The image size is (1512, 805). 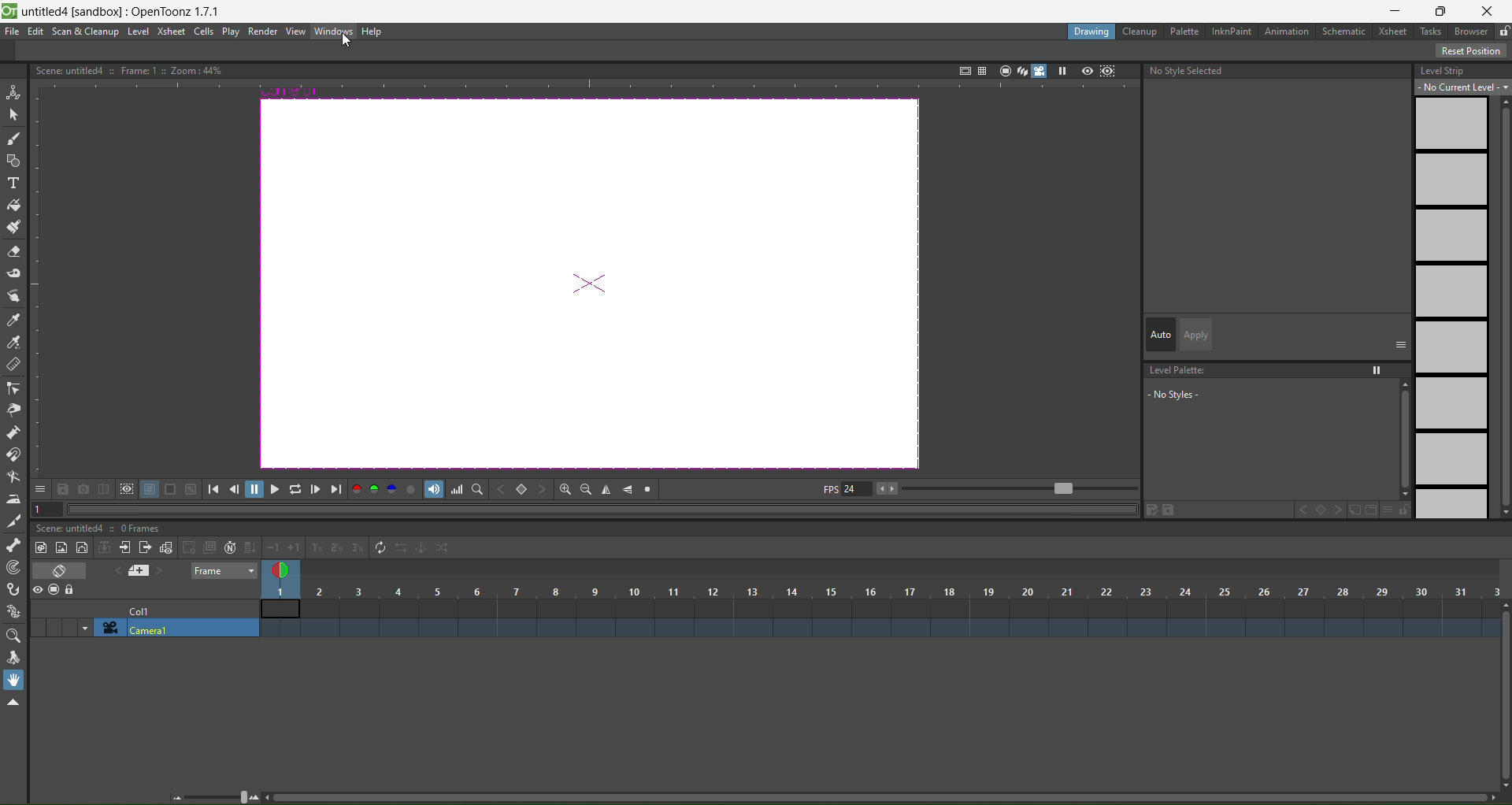 I want to click on safe area, so click(x=963, y=69).